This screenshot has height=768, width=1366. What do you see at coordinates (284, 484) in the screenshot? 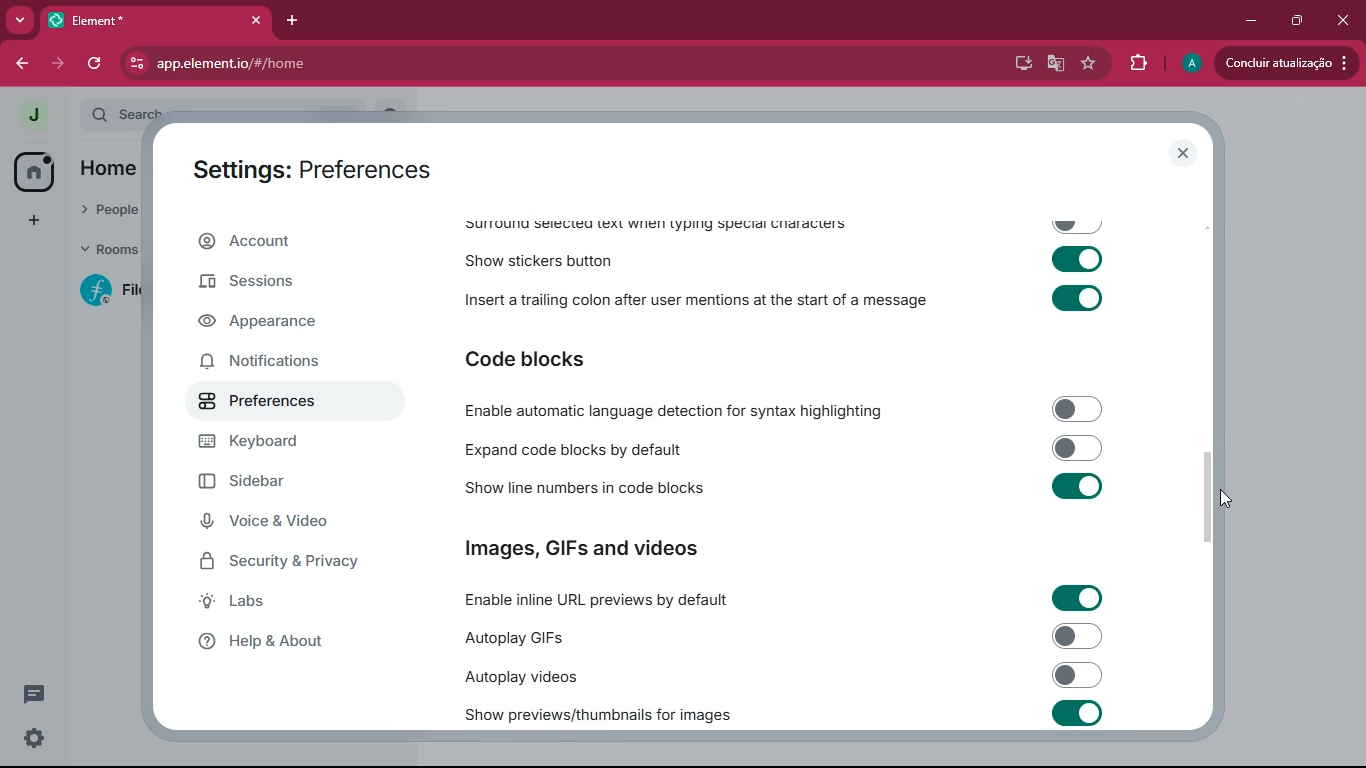
I see `sidebar ` at bounding box center [284, 484].